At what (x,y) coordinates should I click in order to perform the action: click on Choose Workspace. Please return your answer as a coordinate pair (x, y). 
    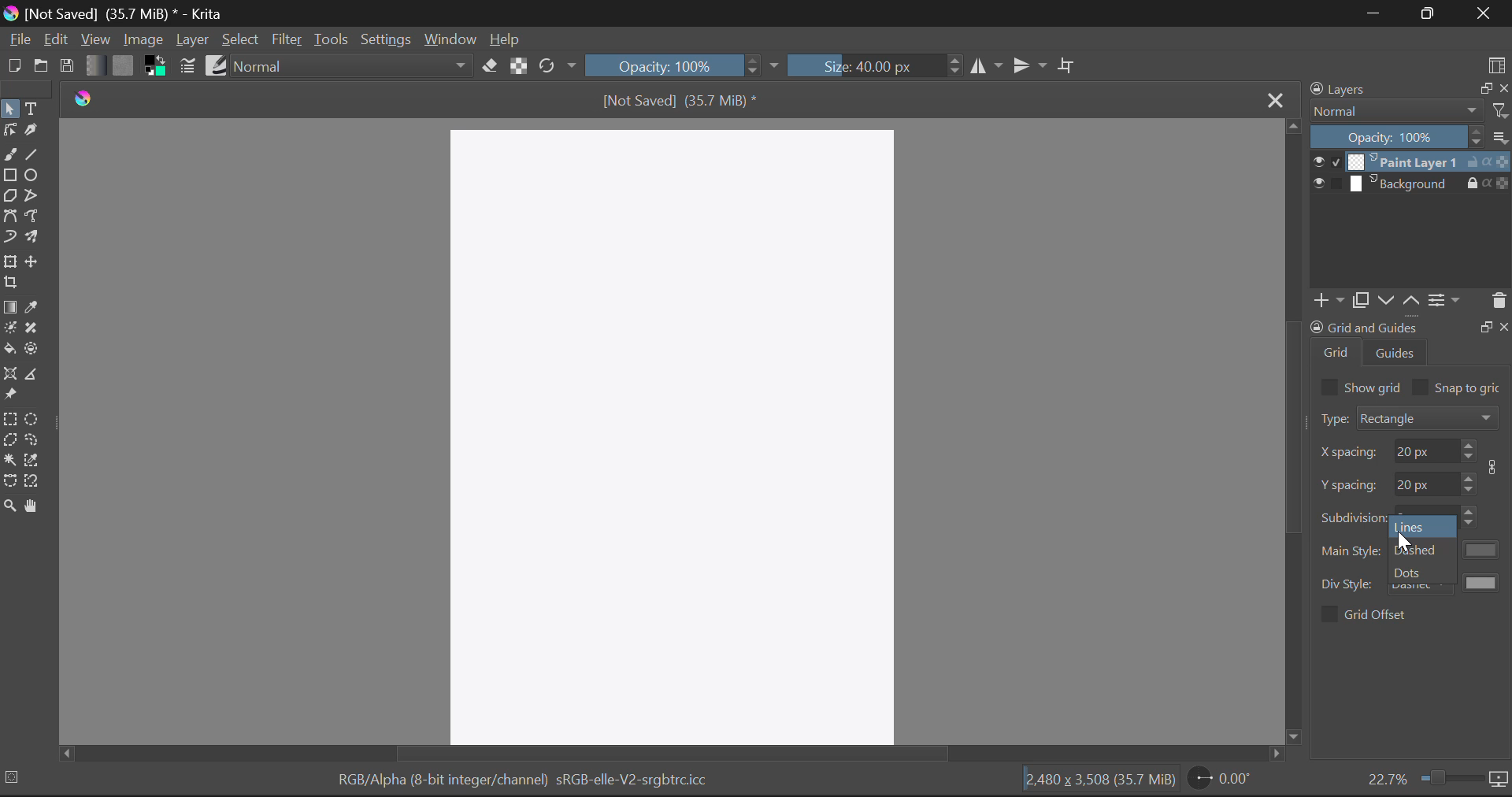
    Looking at the image, I should click on (1496, 64).